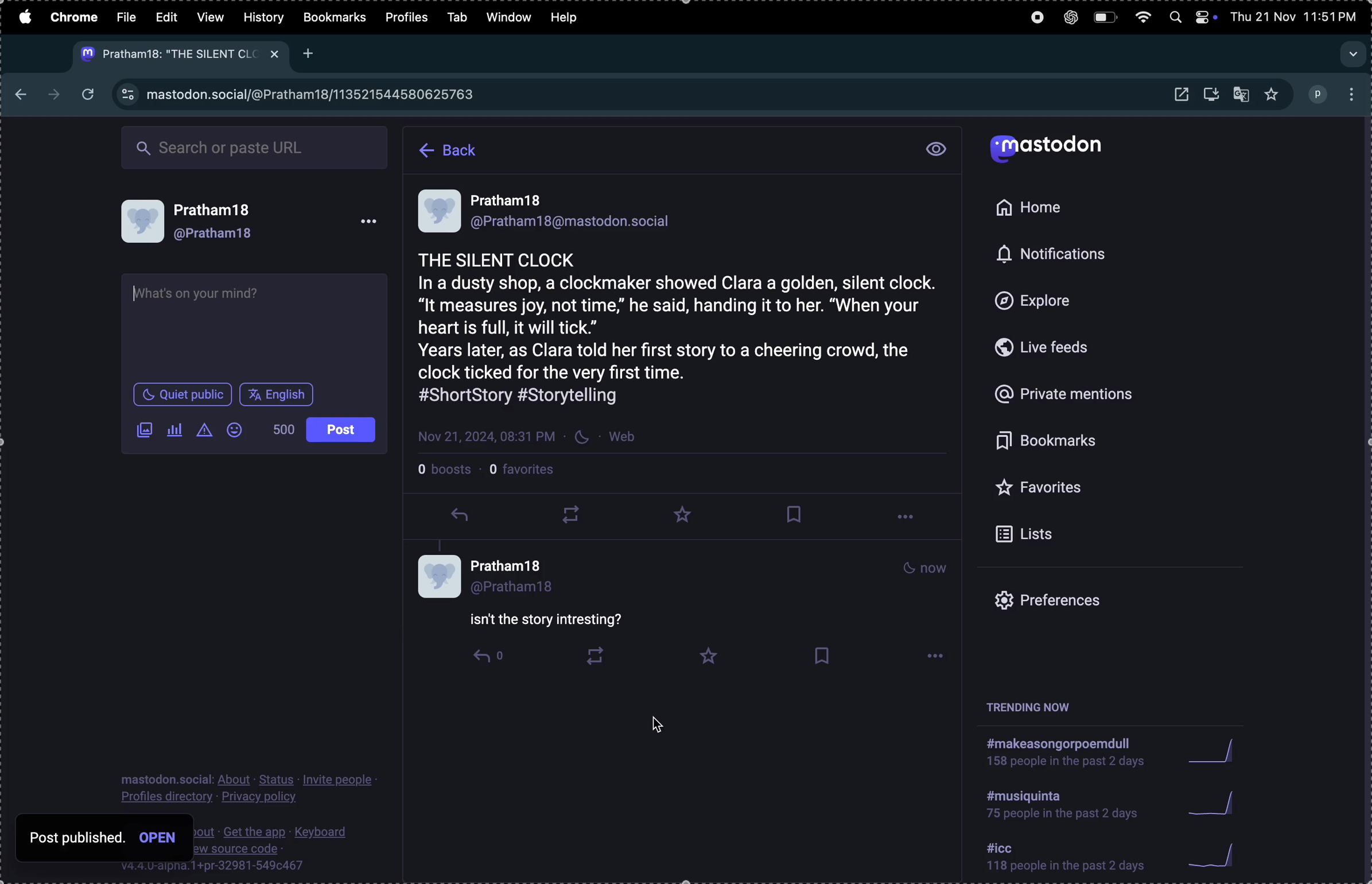  I want to click on mastodon tab, so click(177, 55).